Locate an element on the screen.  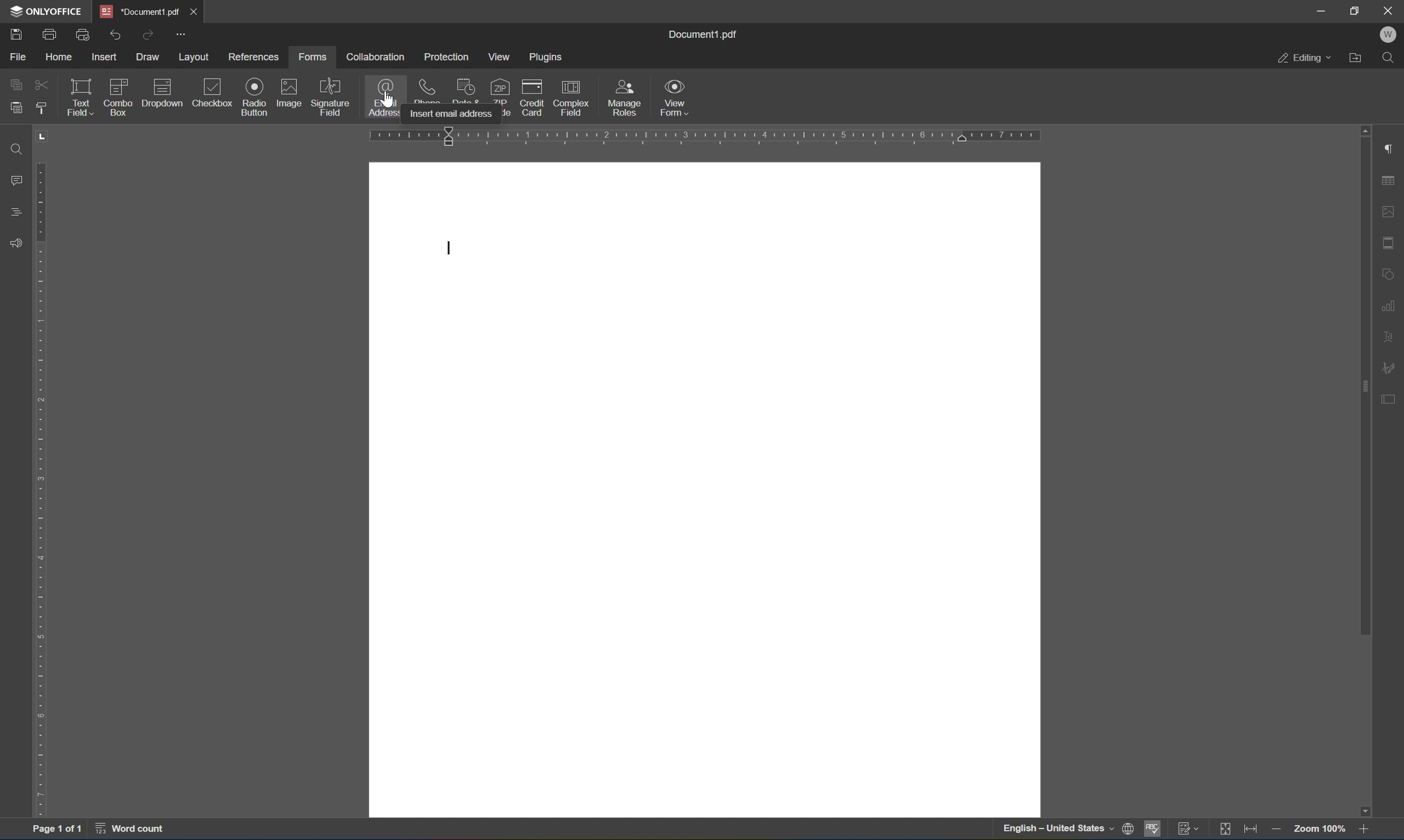
chart settings is located at coordinates (1390, 307).